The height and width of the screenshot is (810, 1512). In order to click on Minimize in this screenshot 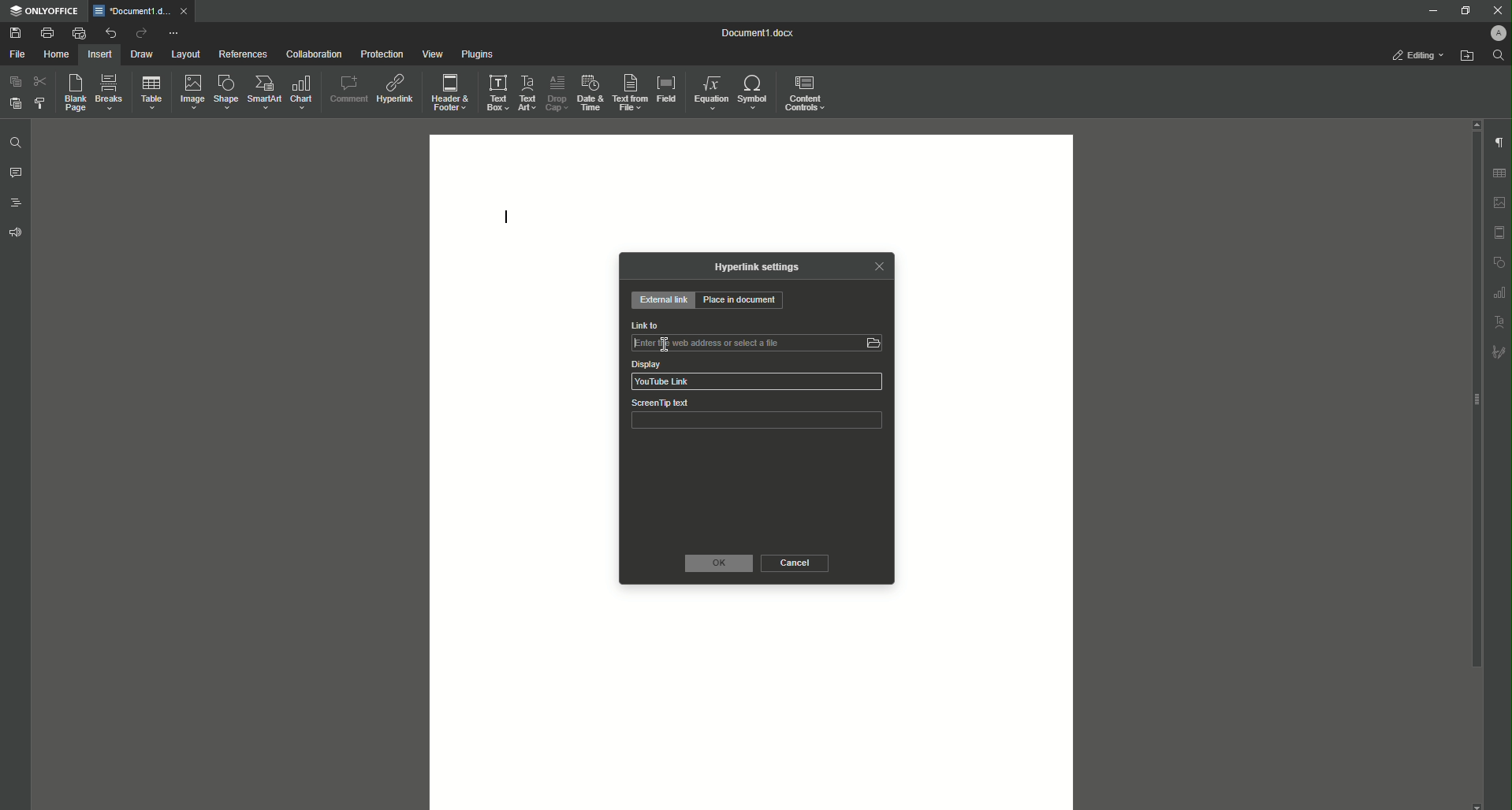, I will do `click(1427, 10)`.